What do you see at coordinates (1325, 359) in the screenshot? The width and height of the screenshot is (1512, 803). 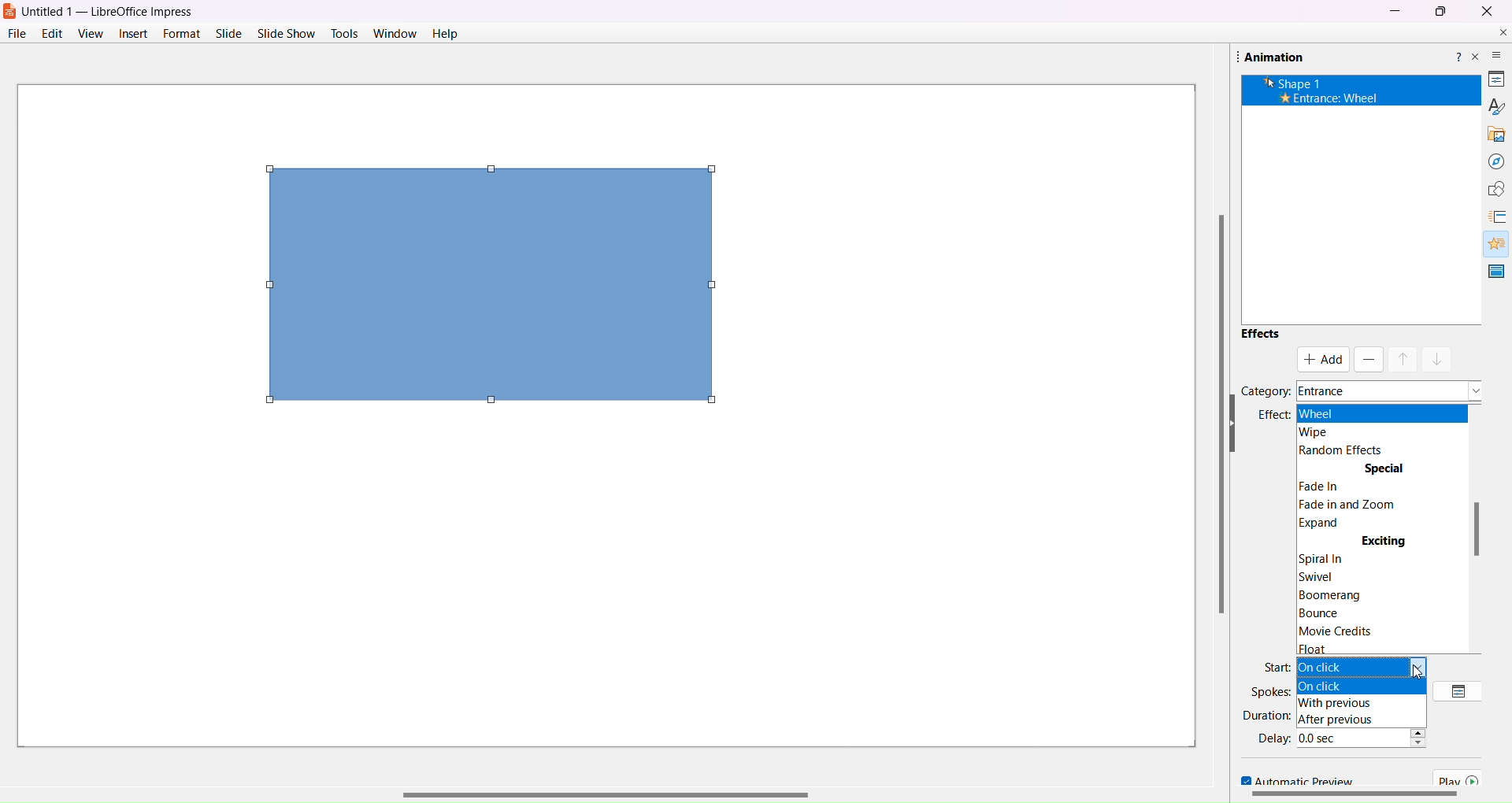 I see `Add` at bounding box center [1325, 359].